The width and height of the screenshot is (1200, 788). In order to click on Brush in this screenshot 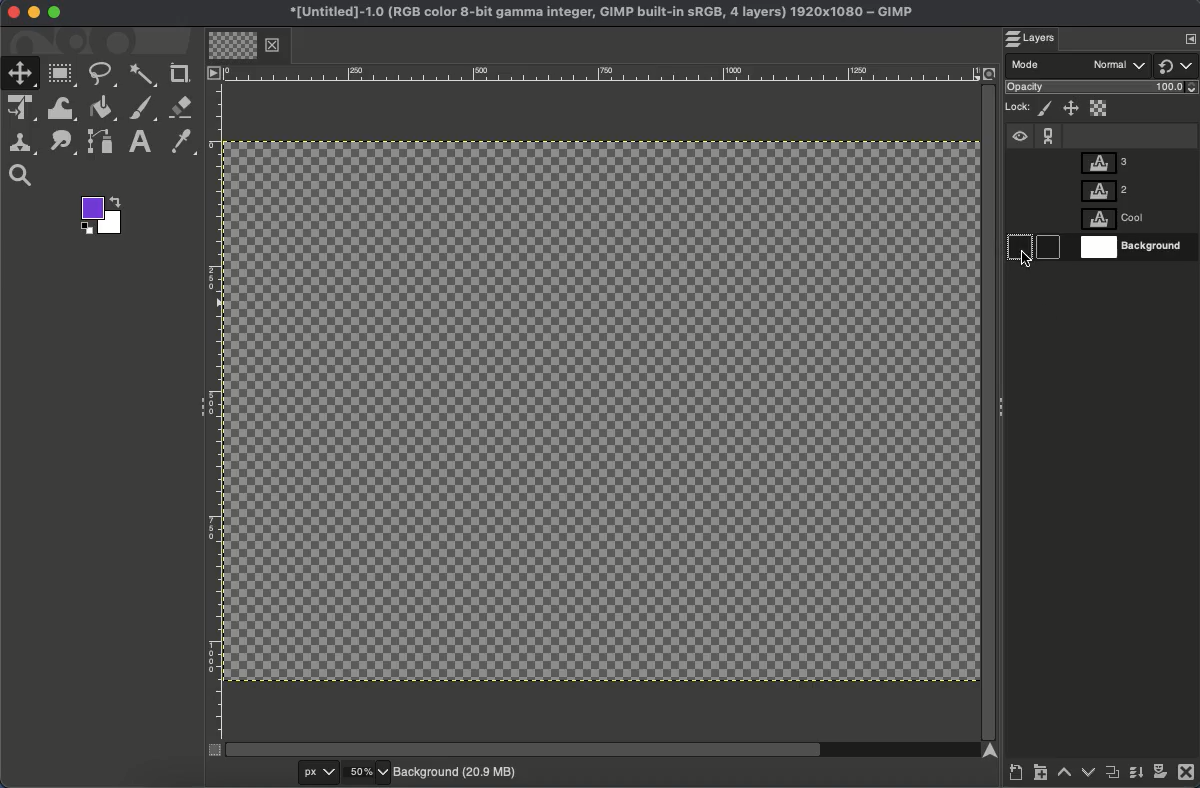, I will do `click(143, 109)`.